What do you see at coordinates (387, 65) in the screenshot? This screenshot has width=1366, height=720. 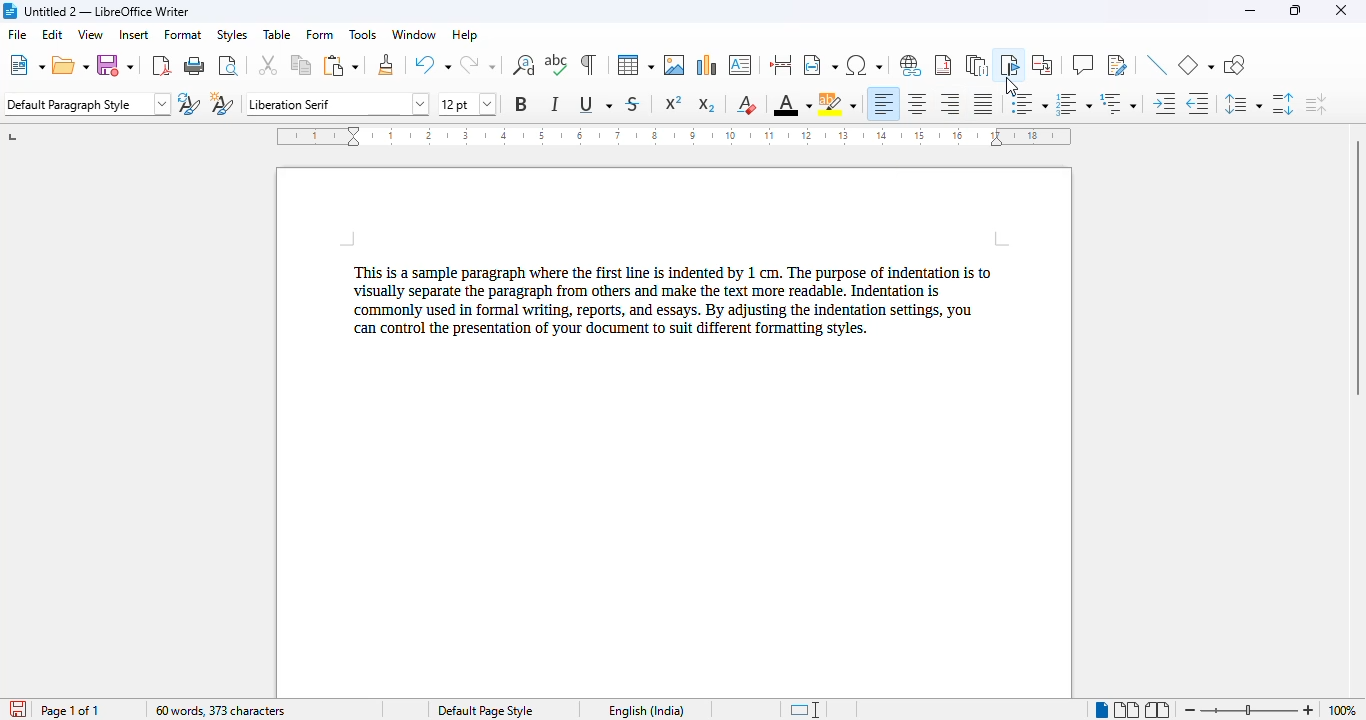 I see `clone formatting` at bounding box center [387, 65].